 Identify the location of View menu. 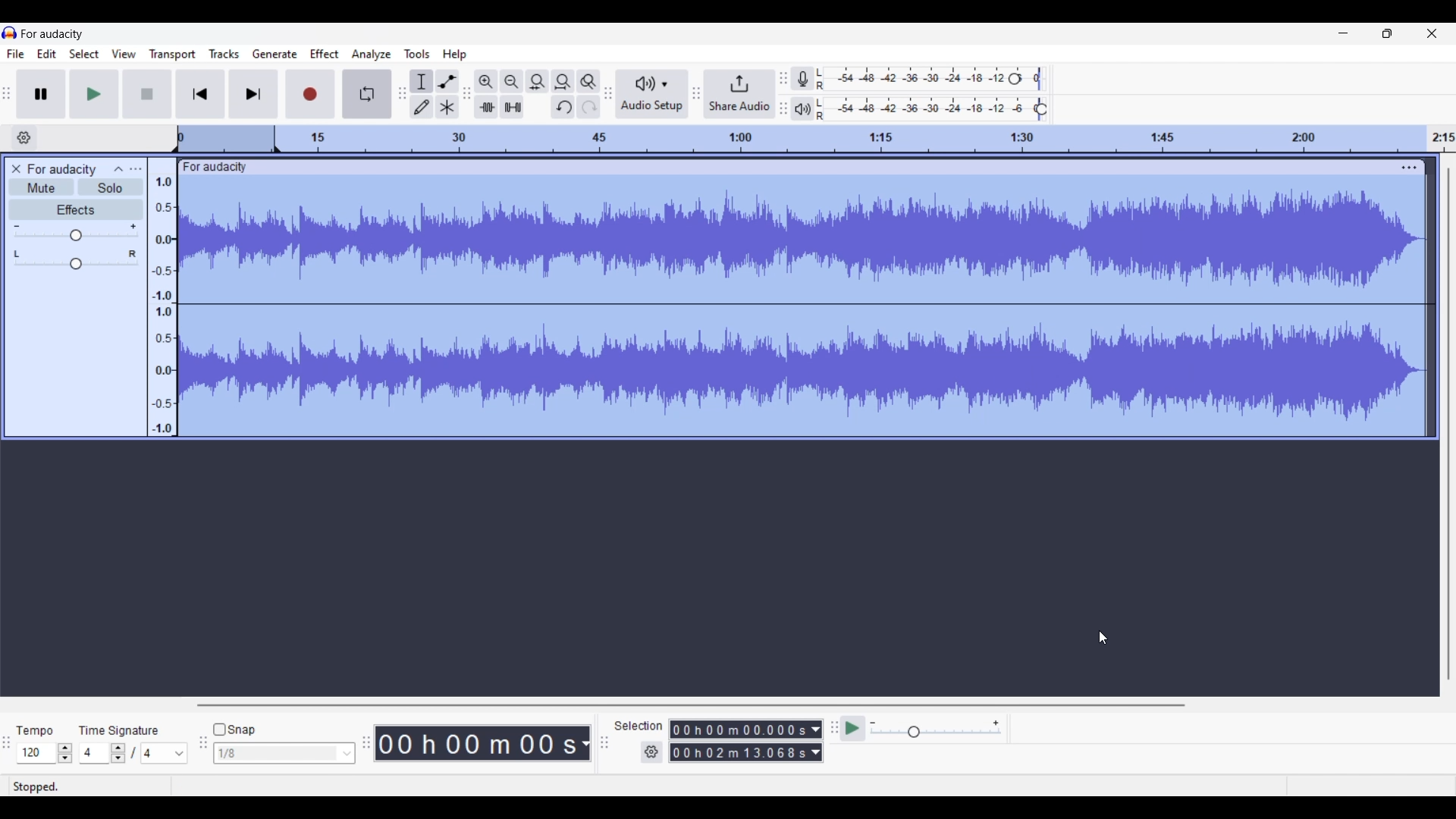
(124, 54).